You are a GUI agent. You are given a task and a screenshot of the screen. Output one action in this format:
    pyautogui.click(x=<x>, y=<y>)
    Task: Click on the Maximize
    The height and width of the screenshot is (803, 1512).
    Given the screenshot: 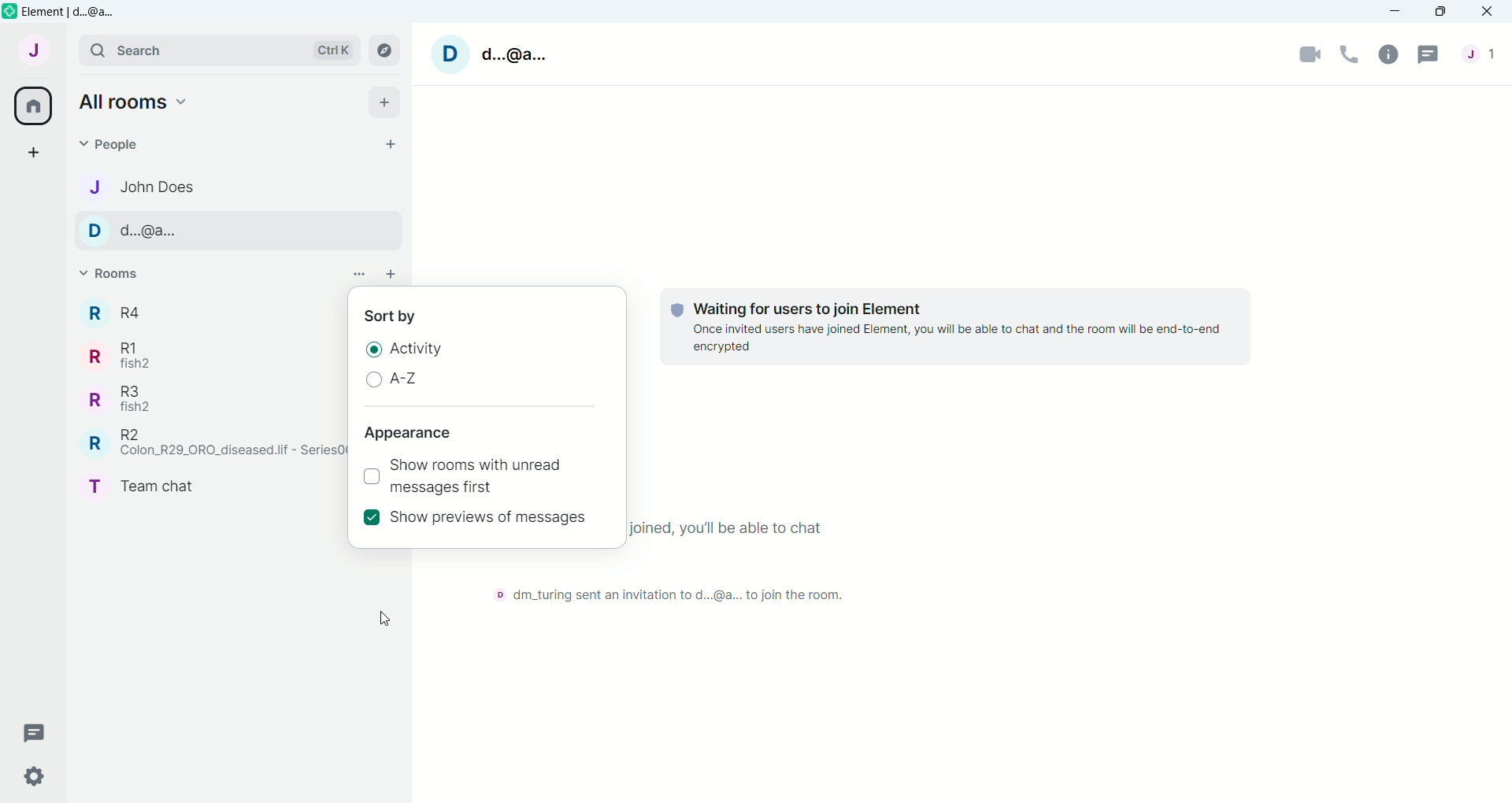 What is the action you would take?
    pyautogui.click(x=1438, y=11)
    